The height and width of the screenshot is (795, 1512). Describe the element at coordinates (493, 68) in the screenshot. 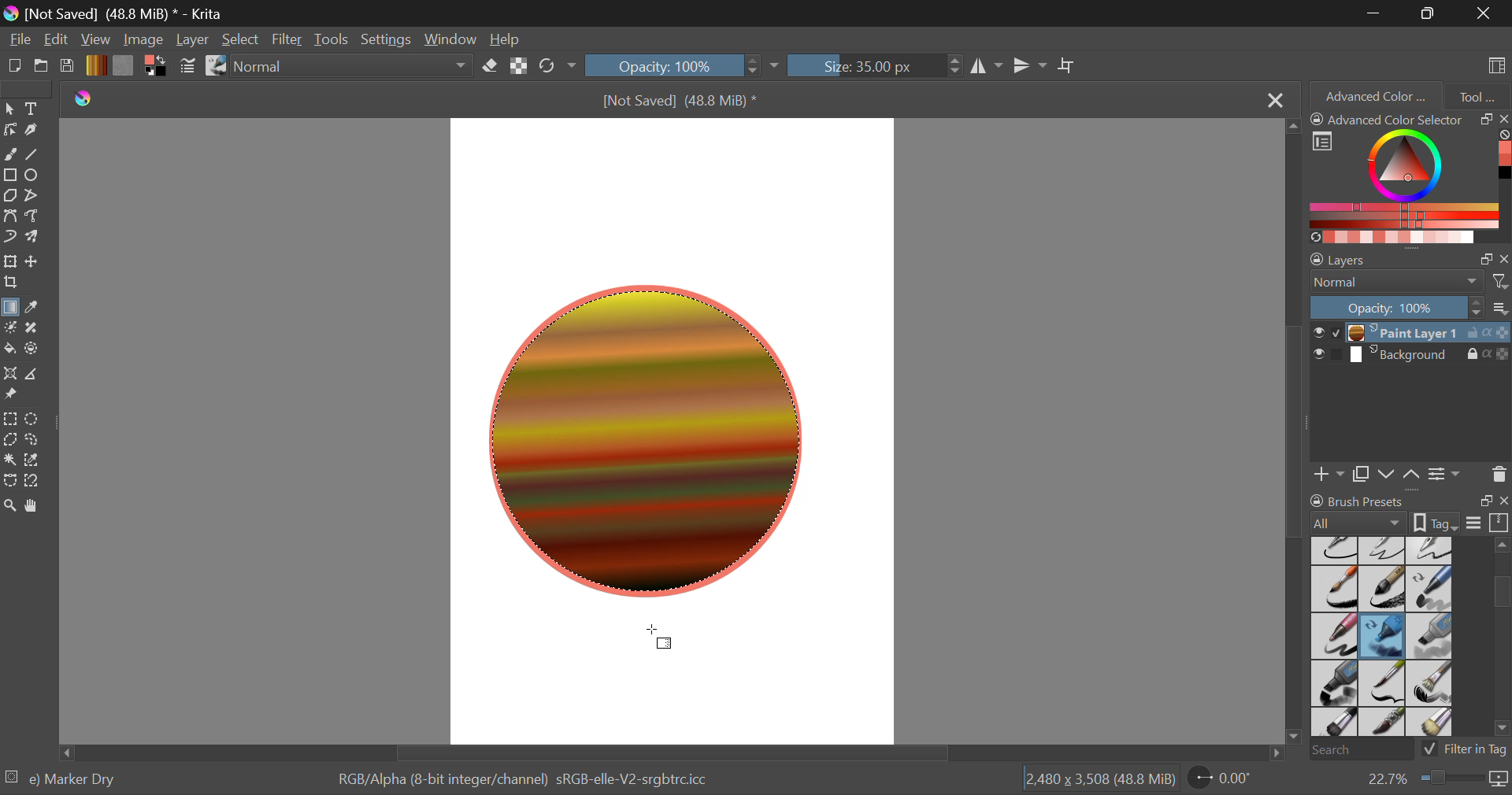

I see `Erase` at that location.